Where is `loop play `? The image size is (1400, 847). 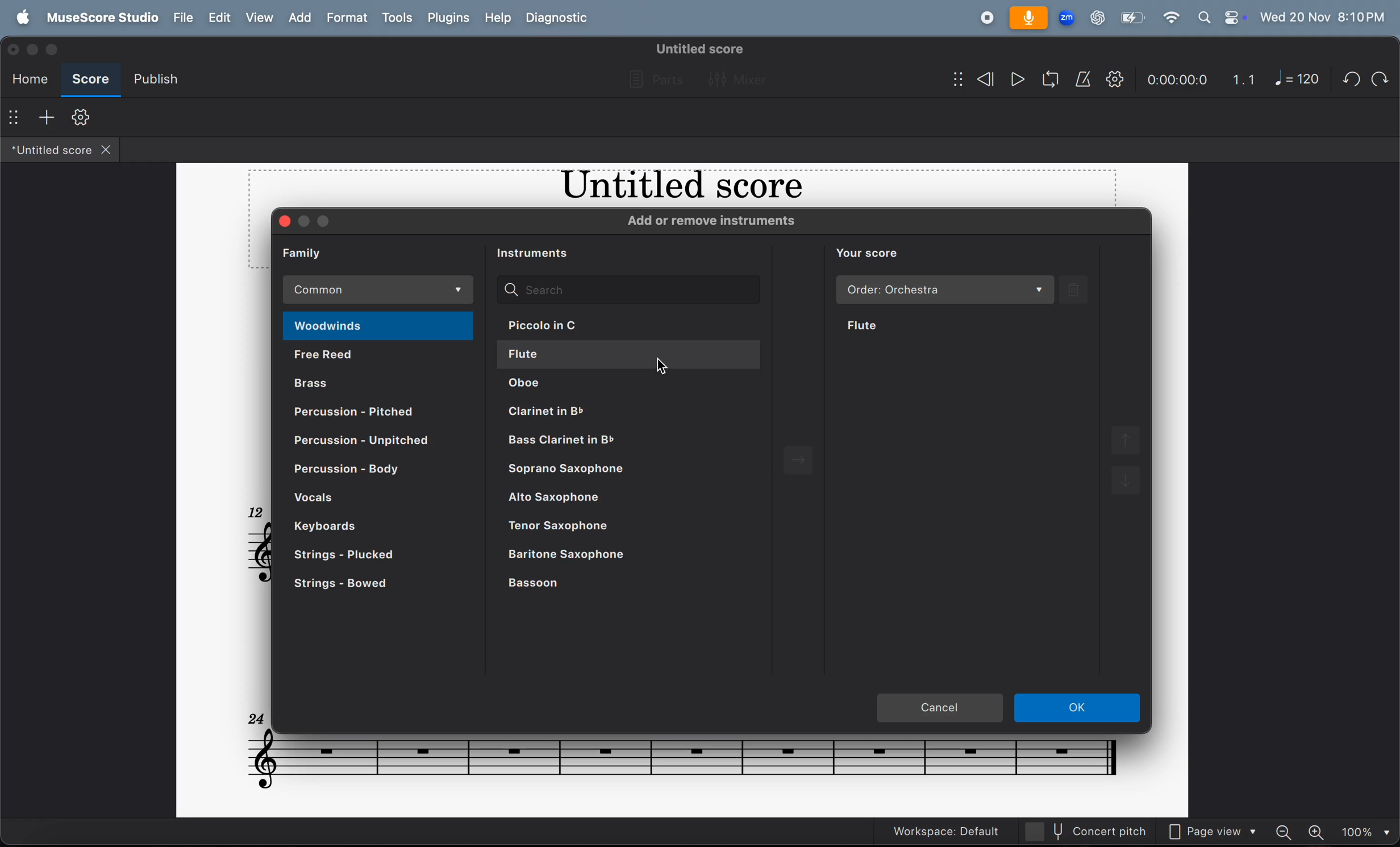
loop play  is located at coordinates (1047, 77).